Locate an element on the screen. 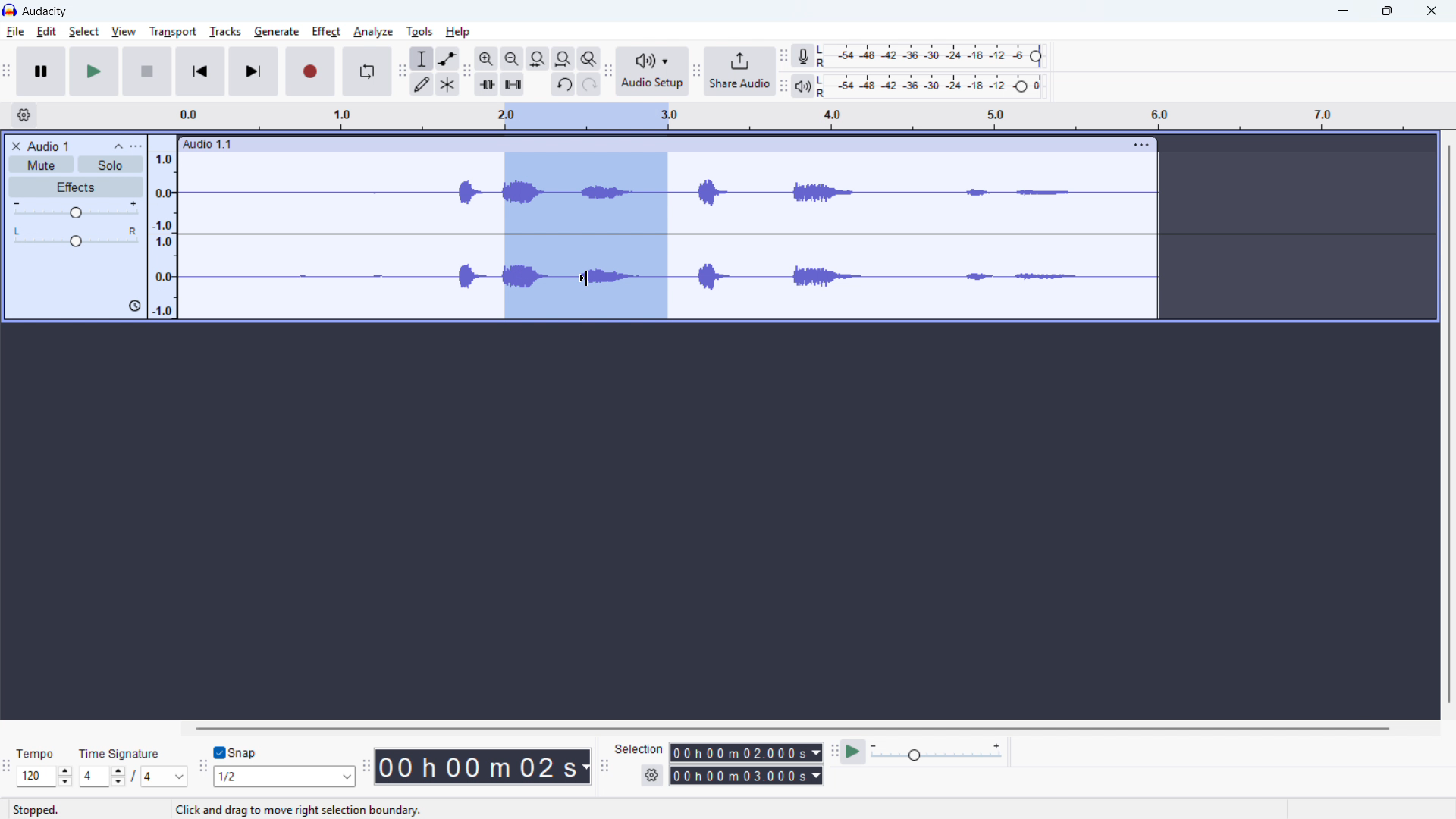  Selection end time is located at coordinates (748, 776).